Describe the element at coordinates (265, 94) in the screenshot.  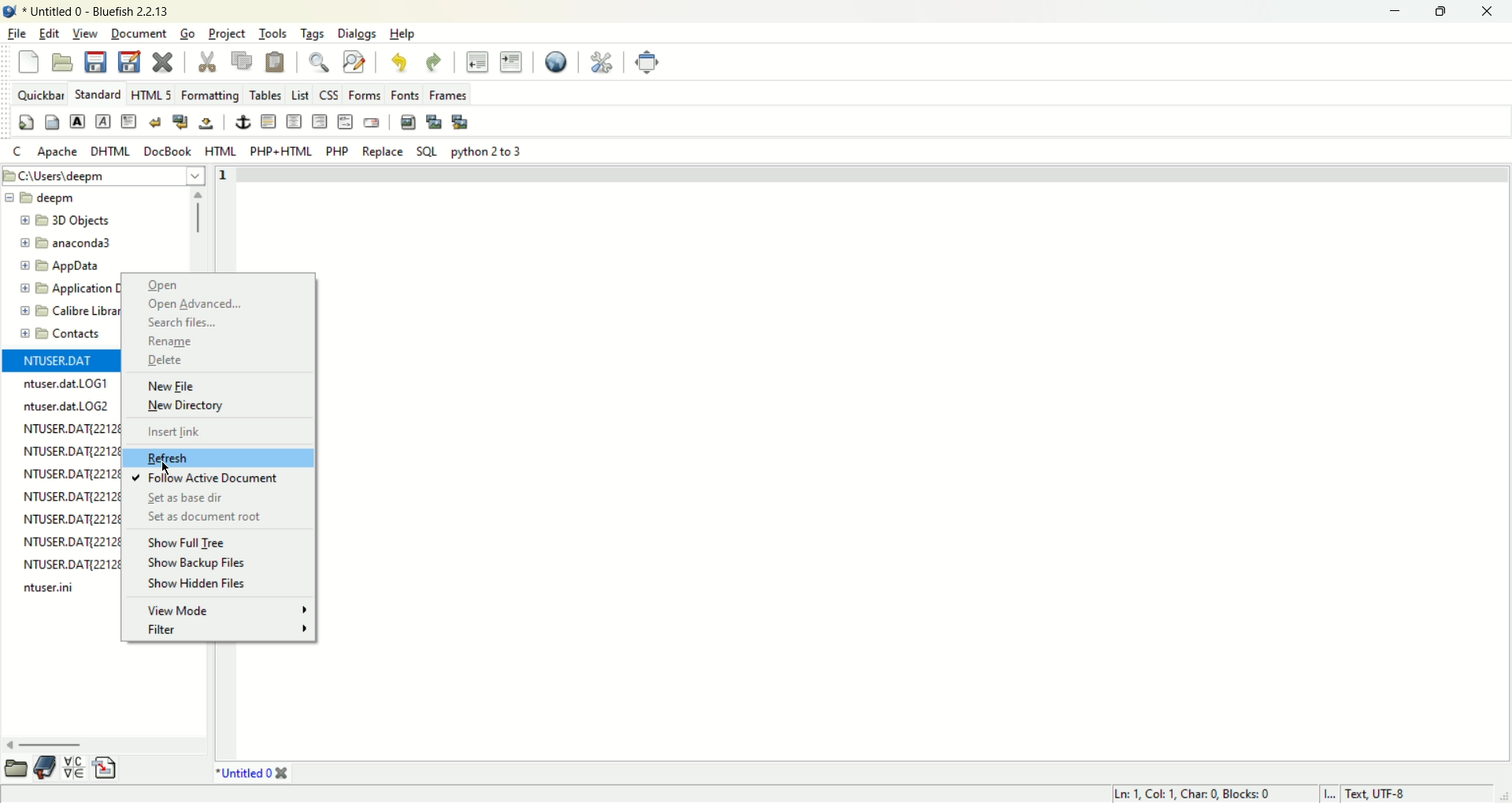
I see `tables` at that location.